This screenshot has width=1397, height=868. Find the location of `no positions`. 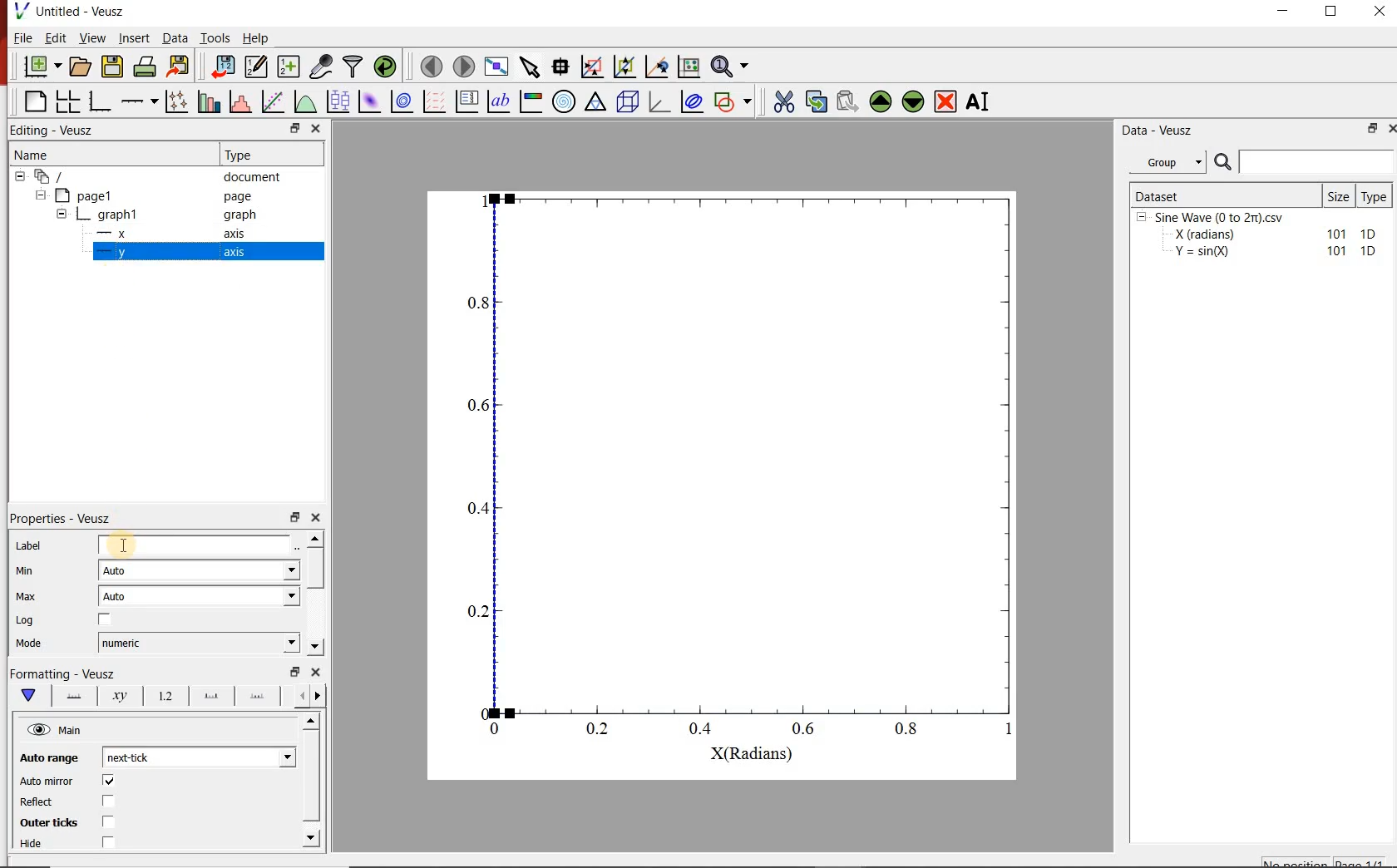

no positions is located at coordinates (1325, 861).